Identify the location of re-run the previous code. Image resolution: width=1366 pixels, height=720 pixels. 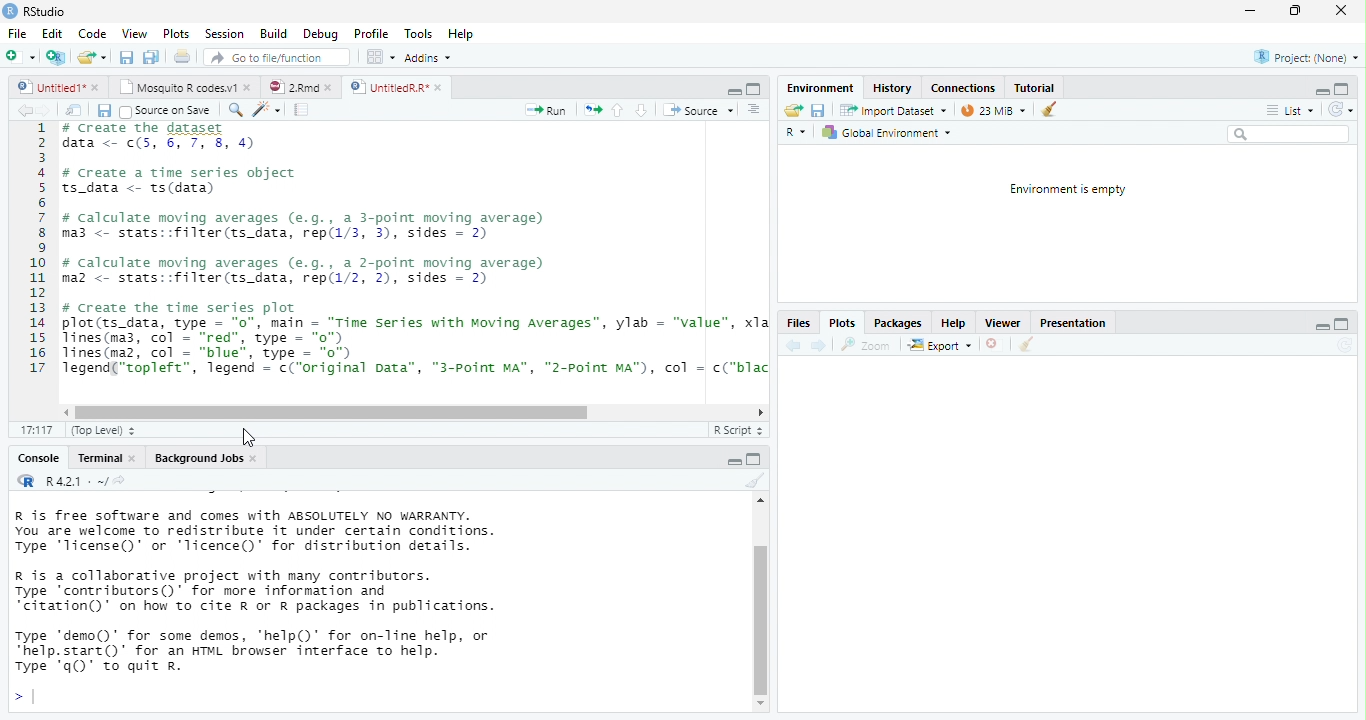
(593, 110).